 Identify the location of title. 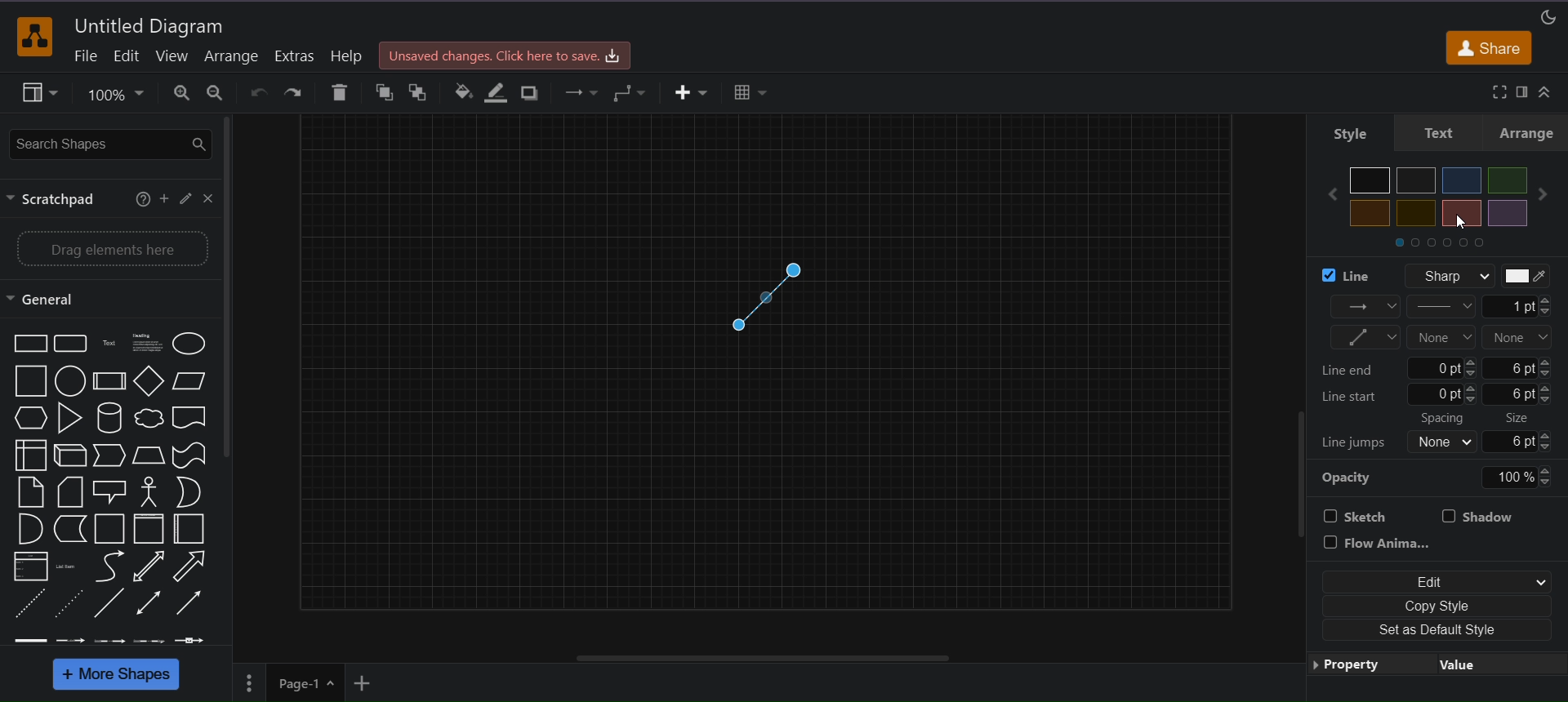
(152, 25).